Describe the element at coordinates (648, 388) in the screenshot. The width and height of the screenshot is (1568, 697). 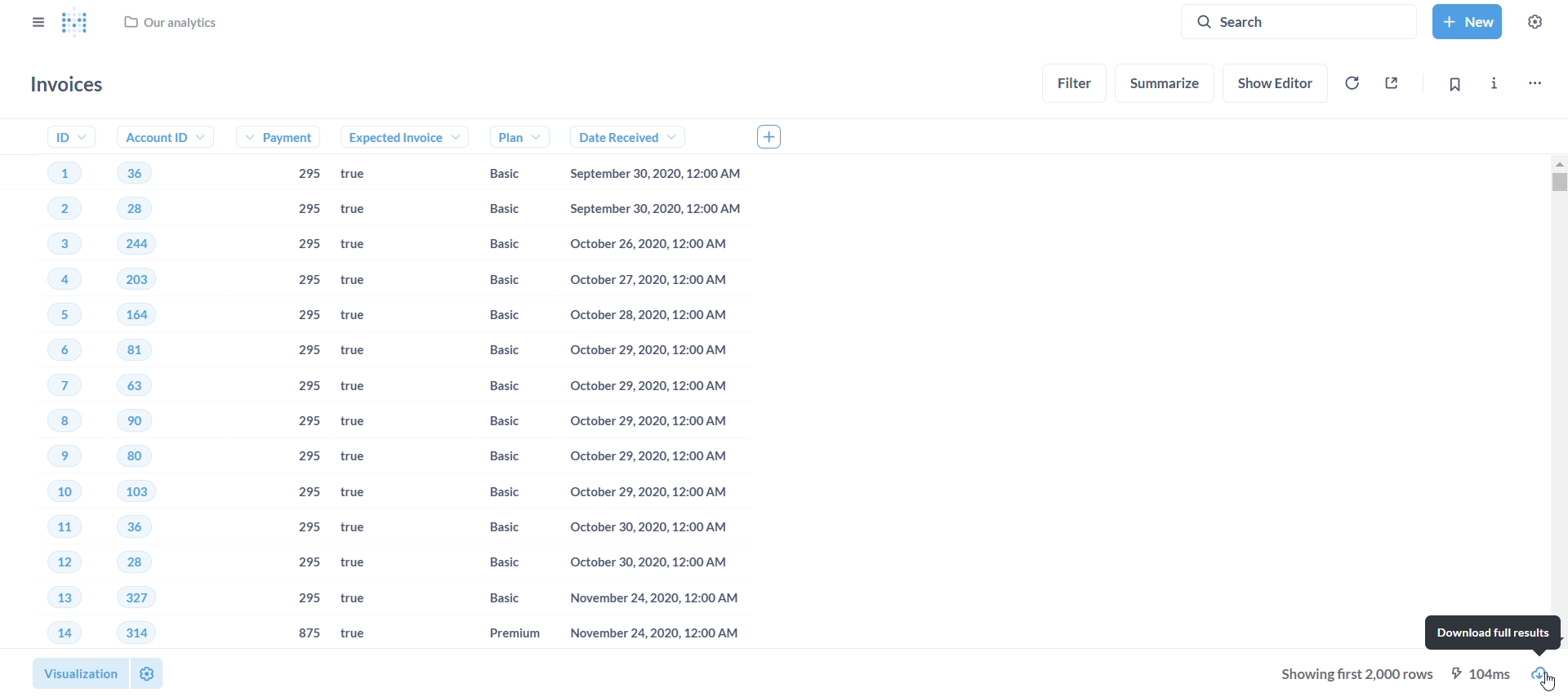
I see `October 29,2020, 12:00 AM` at that location.